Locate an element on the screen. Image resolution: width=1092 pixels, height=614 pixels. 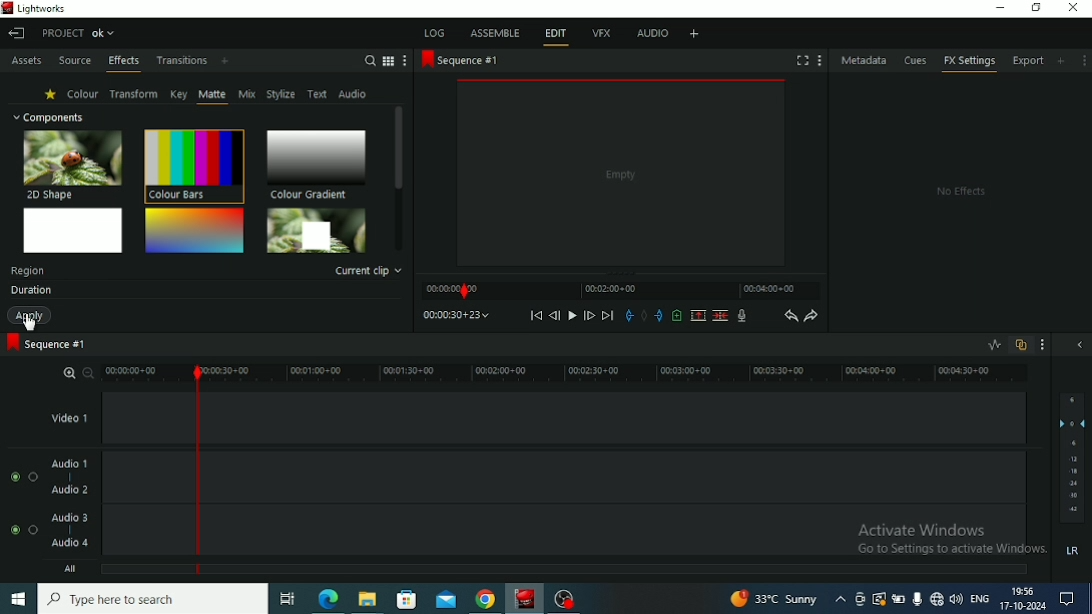
File Explorer is located at coordinates (369, 599).